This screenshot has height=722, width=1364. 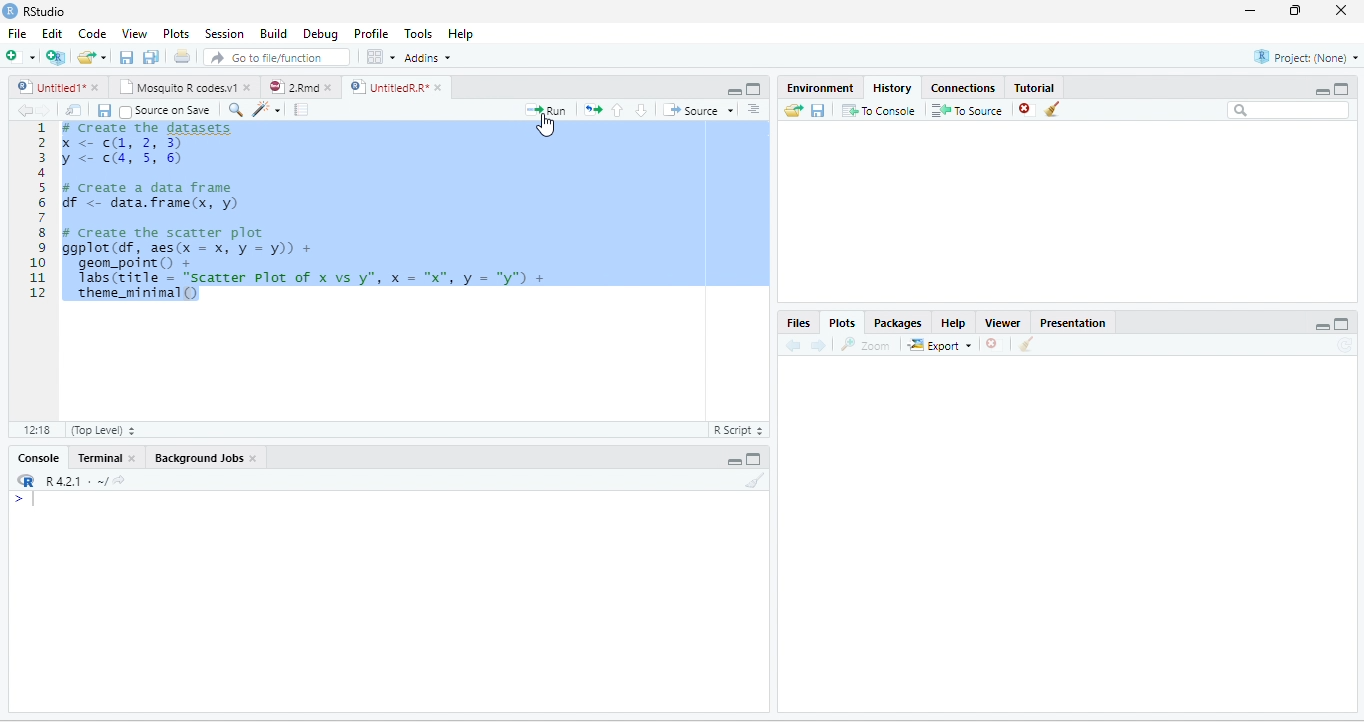 I want to click on Session, so click(x=225, y=33).